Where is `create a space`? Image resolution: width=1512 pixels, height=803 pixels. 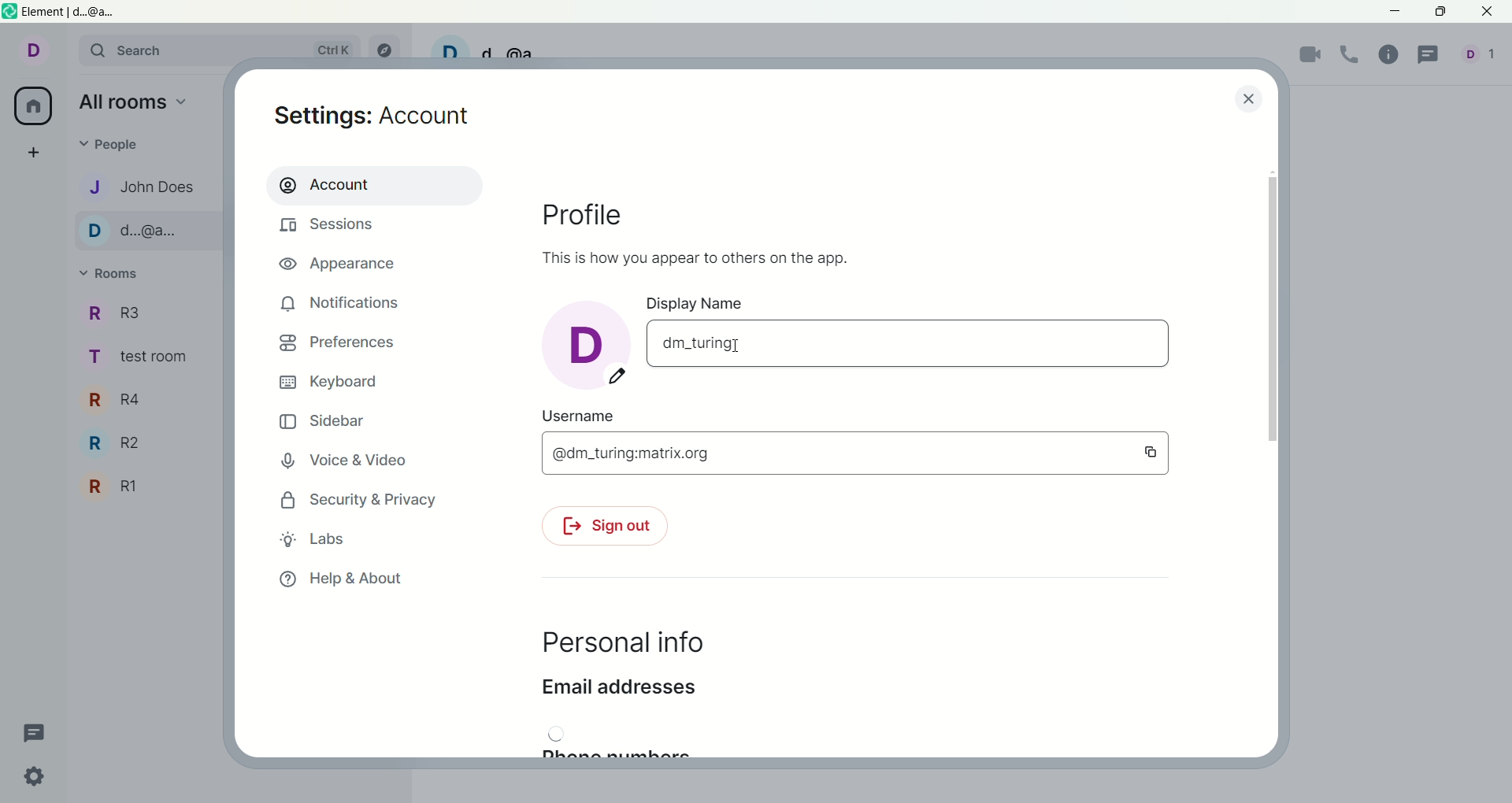
create a space is located at coordinates (39, 154).